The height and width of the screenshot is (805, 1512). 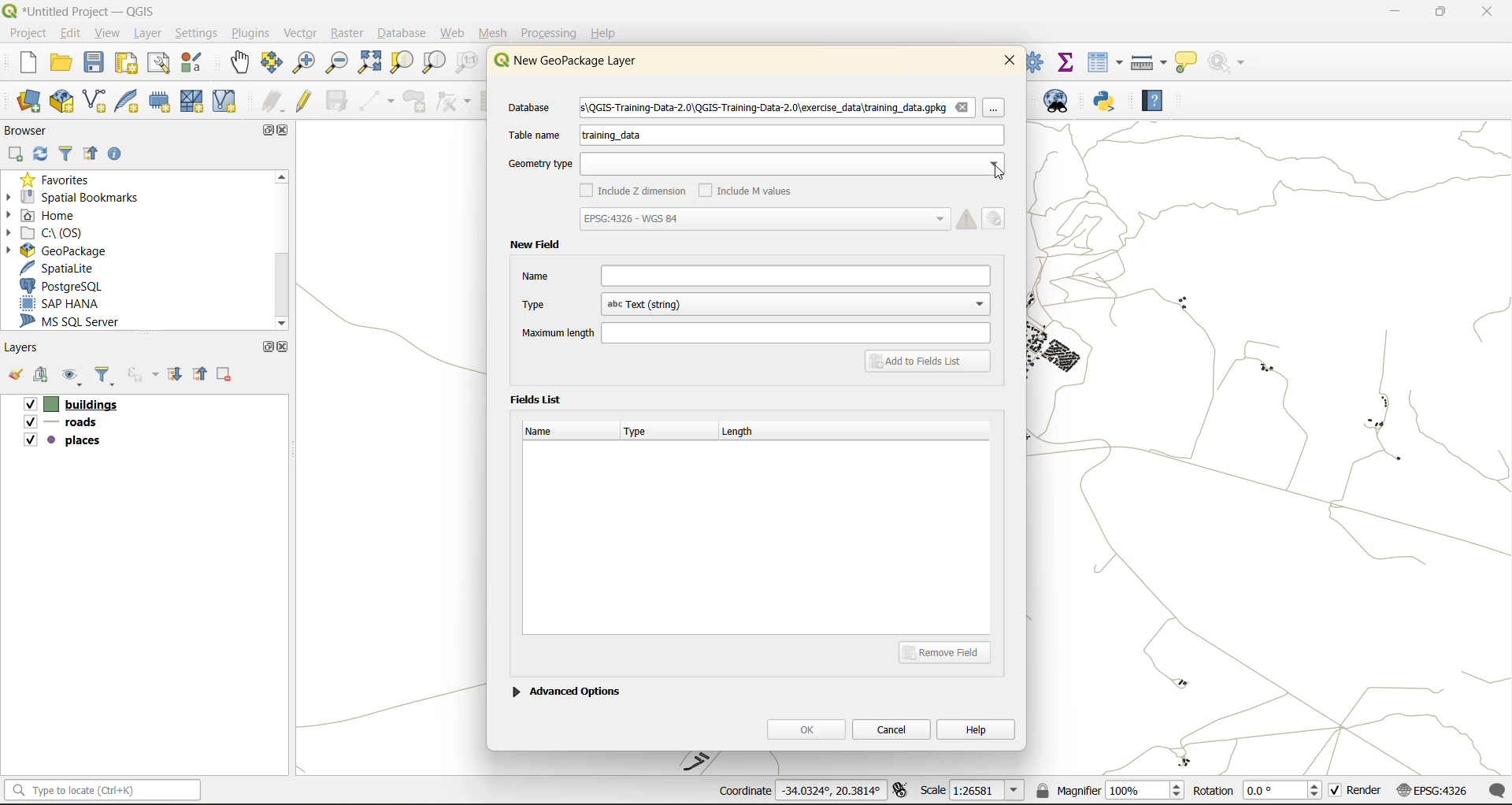 I want to click on plugins, so click(x=250, y=33).